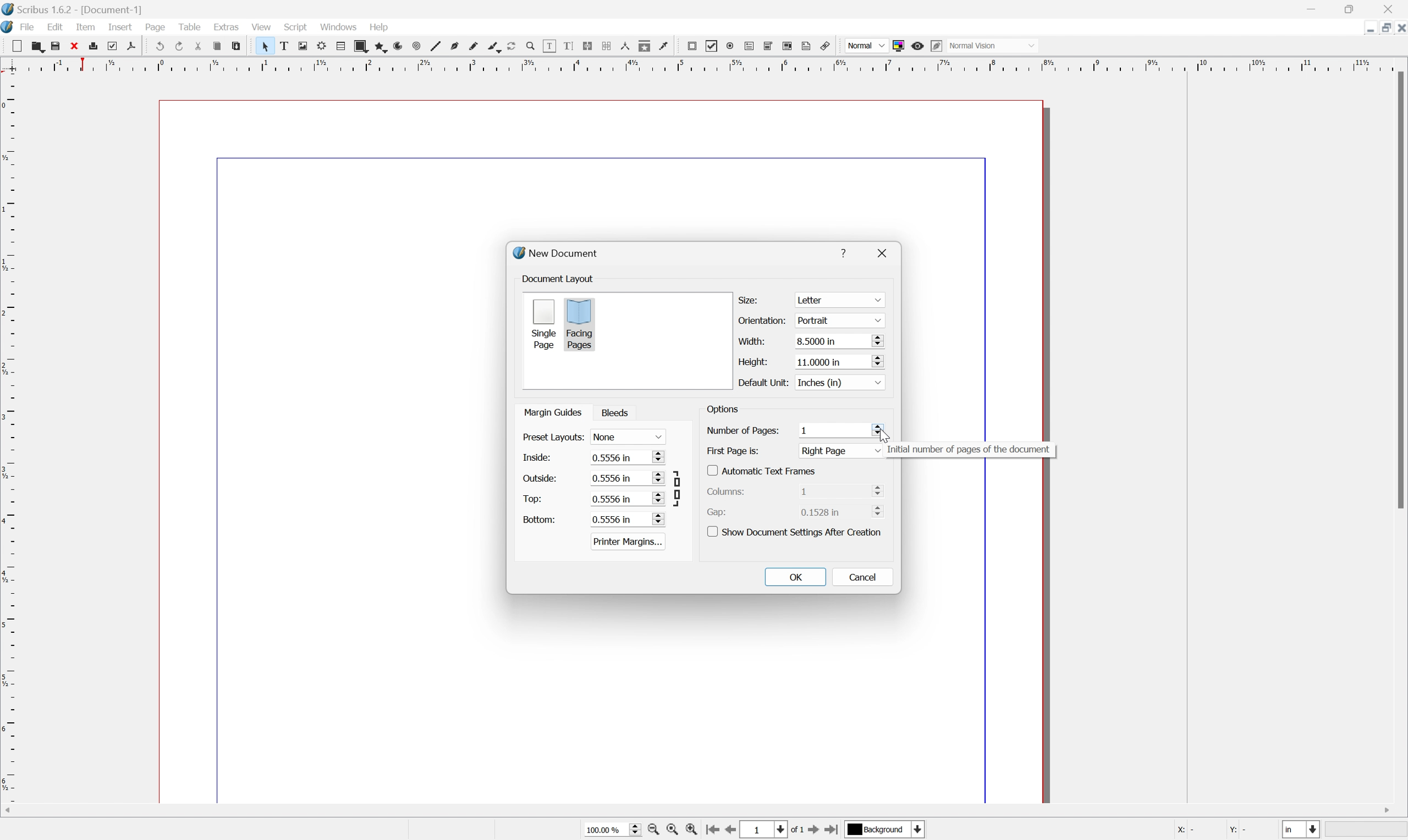 This screenshot has width=1408, height=840. I want to click on Bleeds, so click(618, 413).